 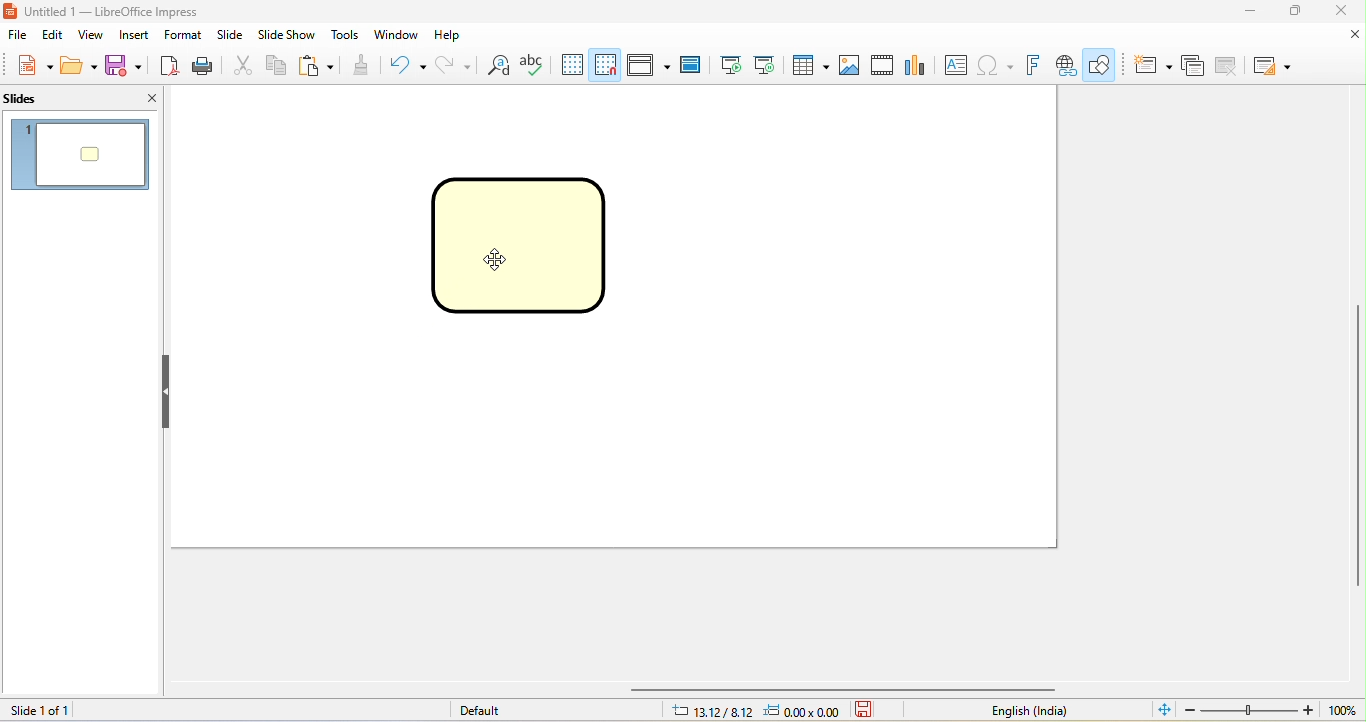 I want to click on undo, so click(x=404, y=64).